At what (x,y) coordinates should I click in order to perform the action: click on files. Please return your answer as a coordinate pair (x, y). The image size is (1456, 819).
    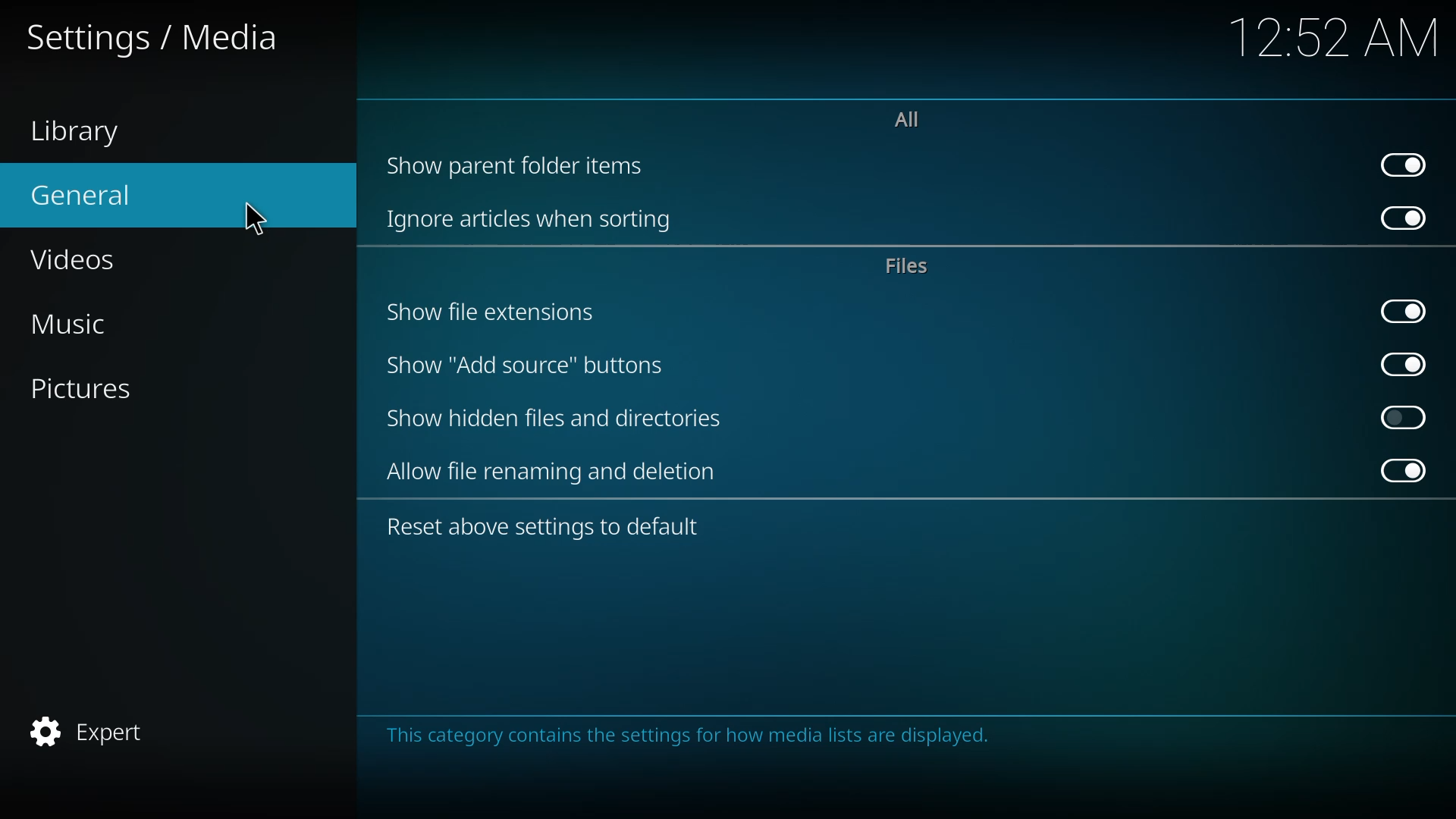
    Looking at the image, I should click on (912, 265).